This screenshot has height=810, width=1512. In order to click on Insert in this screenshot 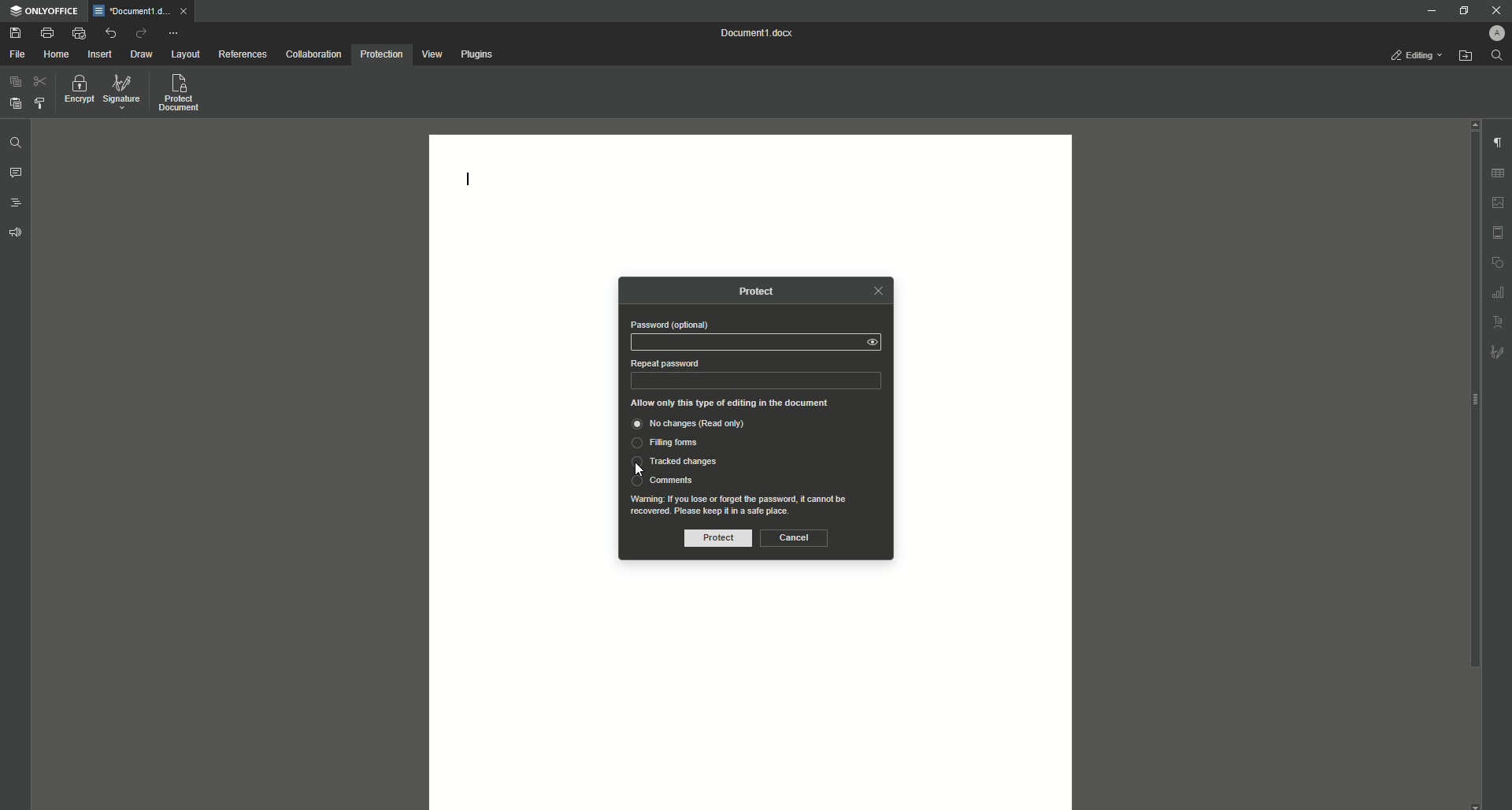, I will do `click(98, 54)`.